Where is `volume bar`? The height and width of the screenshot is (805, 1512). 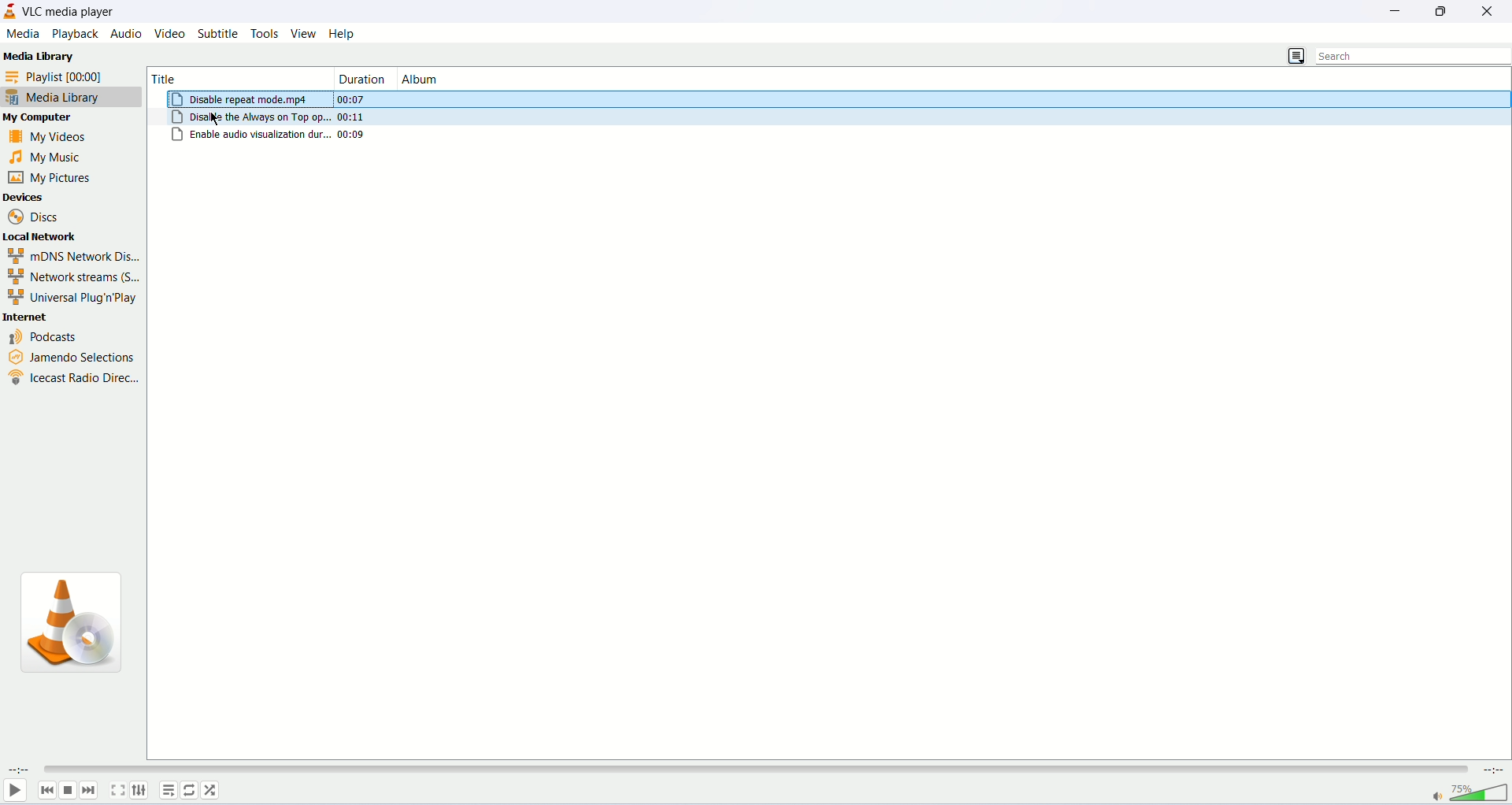 volume bar is located at coordinates (1480, 792).